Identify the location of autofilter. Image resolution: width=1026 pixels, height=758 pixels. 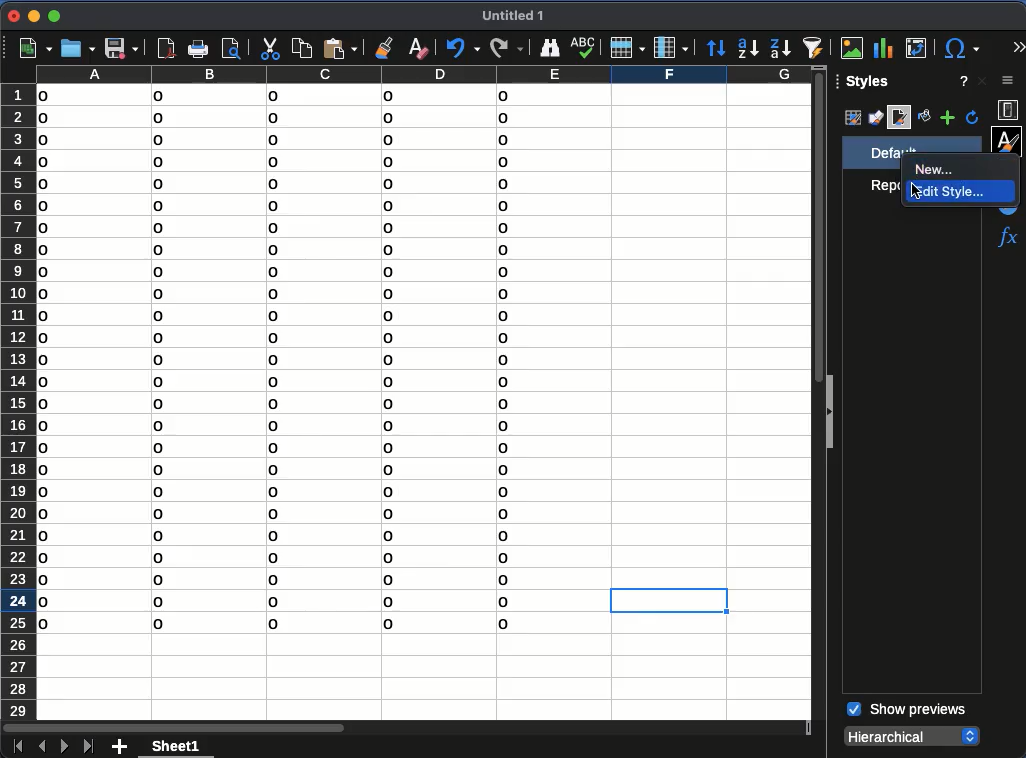
(814, 46).